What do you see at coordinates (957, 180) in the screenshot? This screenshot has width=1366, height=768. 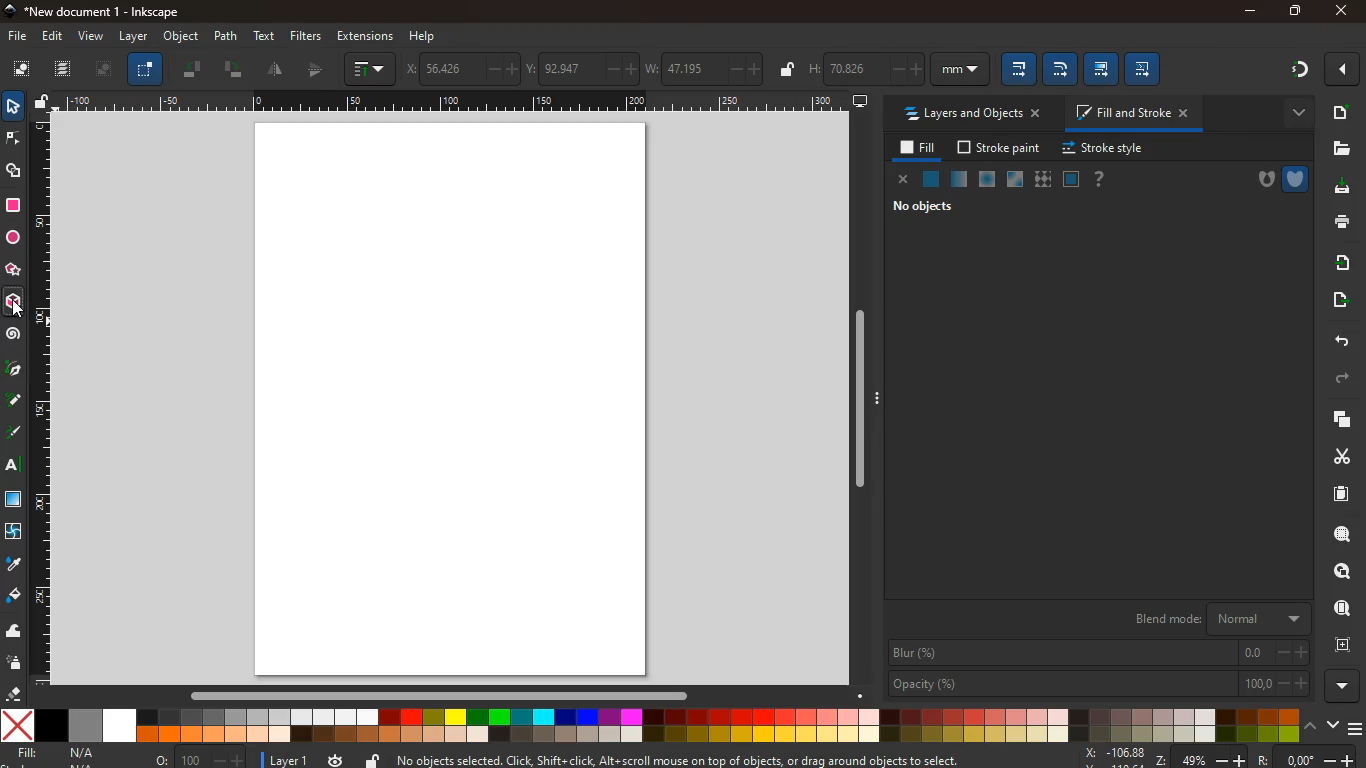 I see `opacity` at bounding box center [957, 180].